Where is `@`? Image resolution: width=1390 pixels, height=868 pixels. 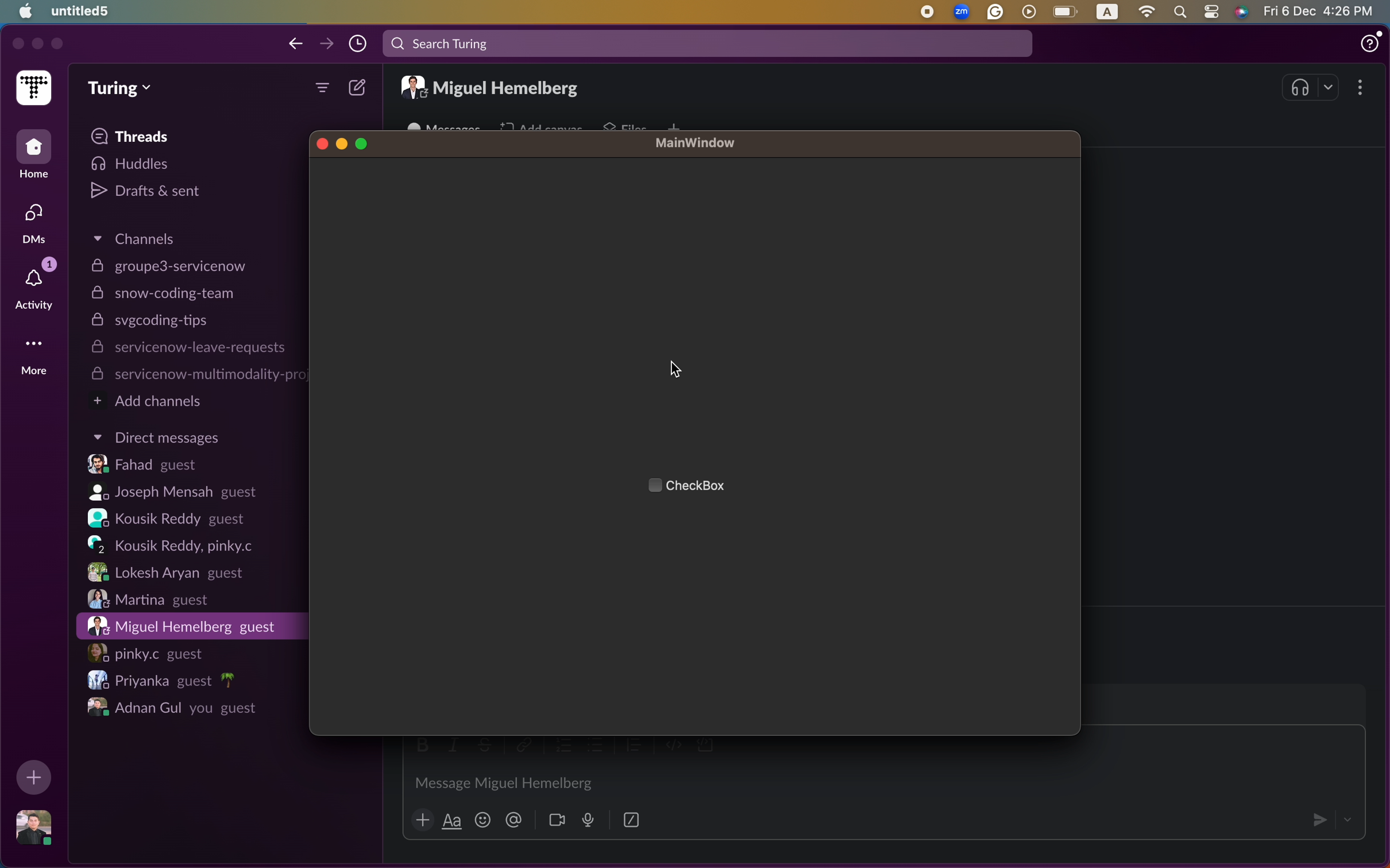
@ is located at coordinates (513, 821).